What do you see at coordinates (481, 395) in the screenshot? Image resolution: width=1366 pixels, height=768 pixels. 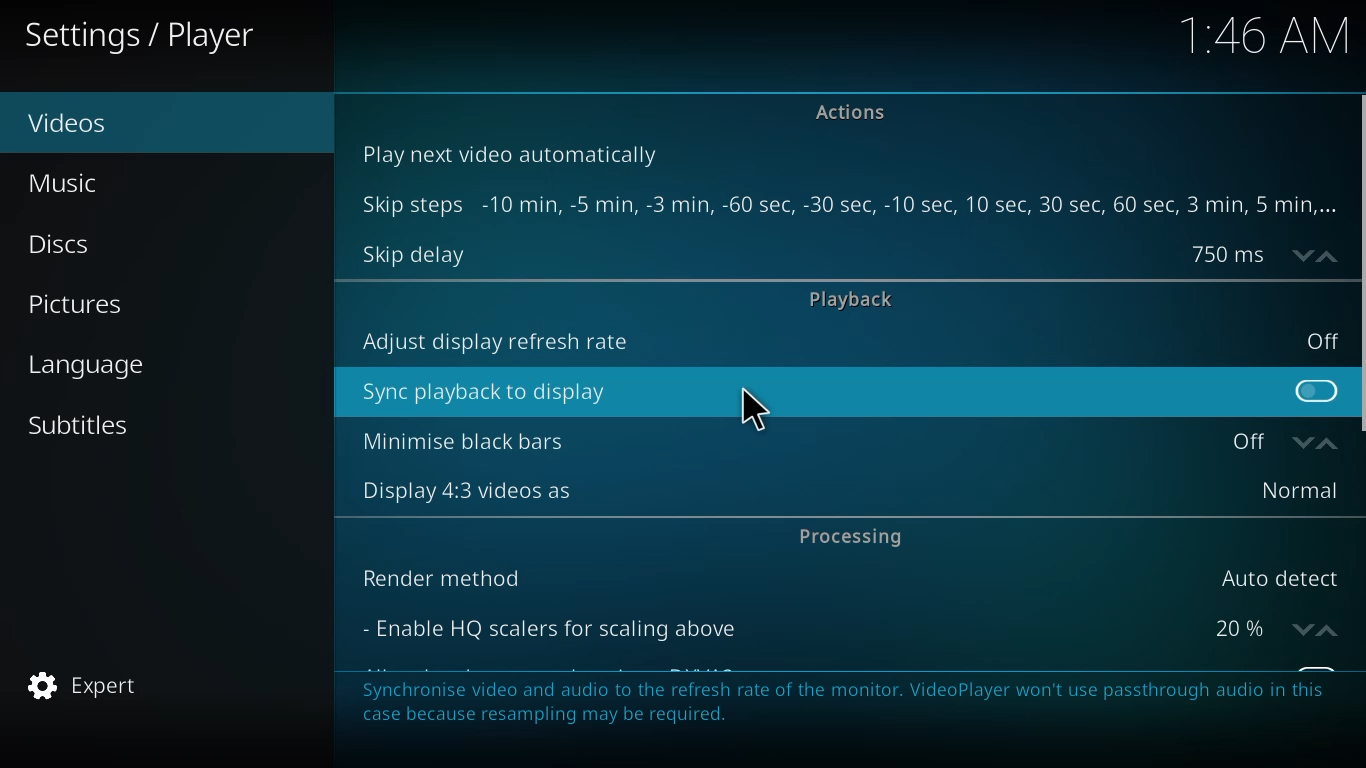 I see `sync playback to display` at bounding box center [481, 395].